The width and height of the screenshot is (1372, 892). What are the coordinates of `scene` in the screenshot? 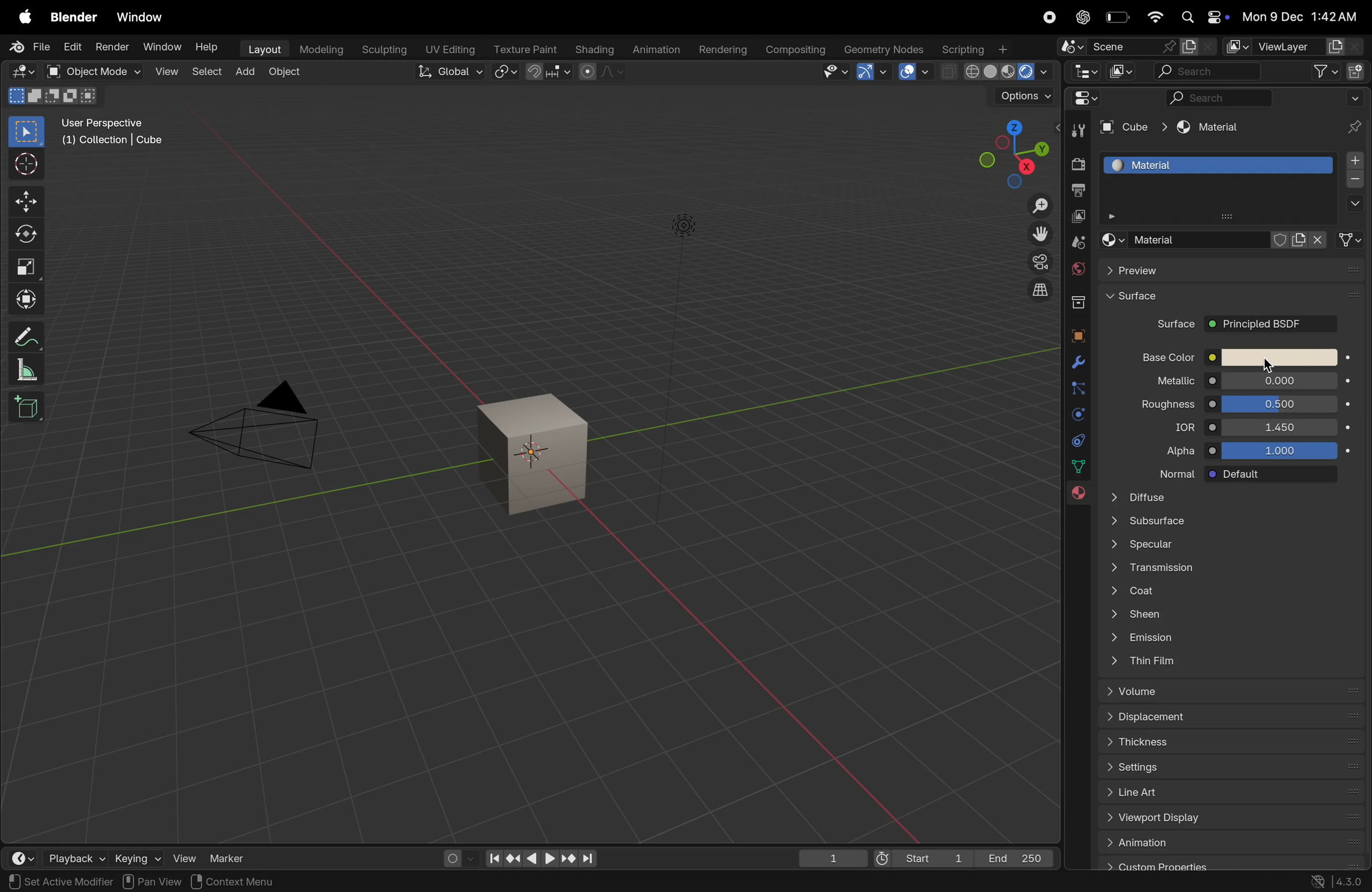 It's located at (1076, 242).